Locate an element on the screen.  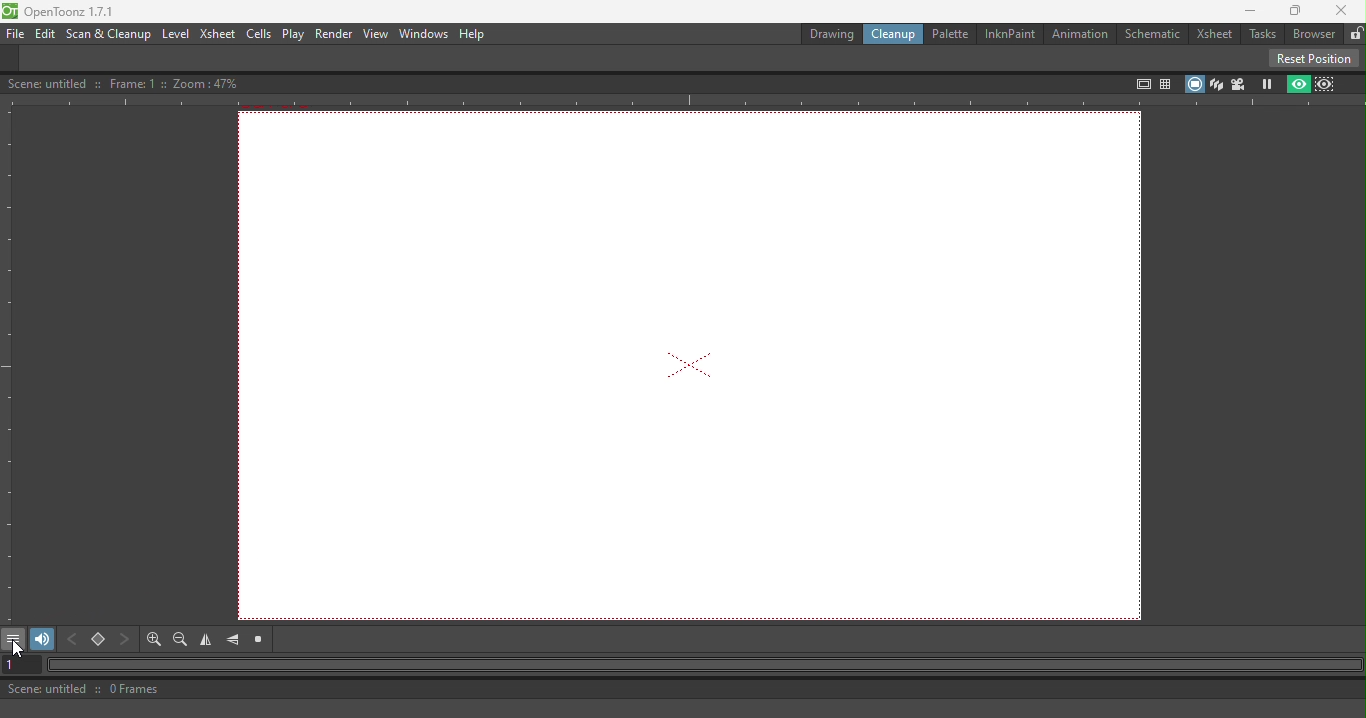
openloonz1.7.1 is located at coordinates (75, 12).